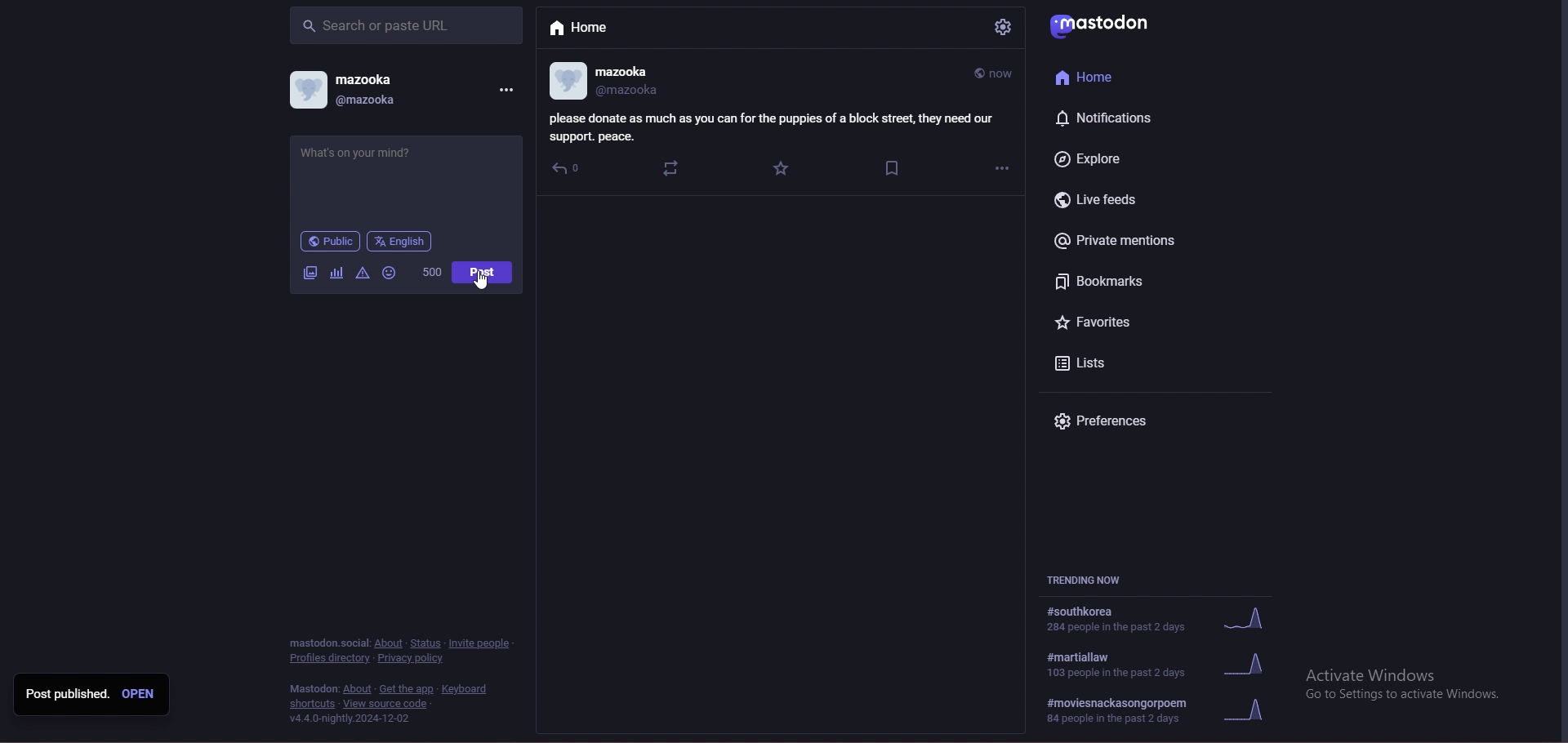  Describe the element at coordinates (671, 169) in the screenshot. I see `boost` at that location.